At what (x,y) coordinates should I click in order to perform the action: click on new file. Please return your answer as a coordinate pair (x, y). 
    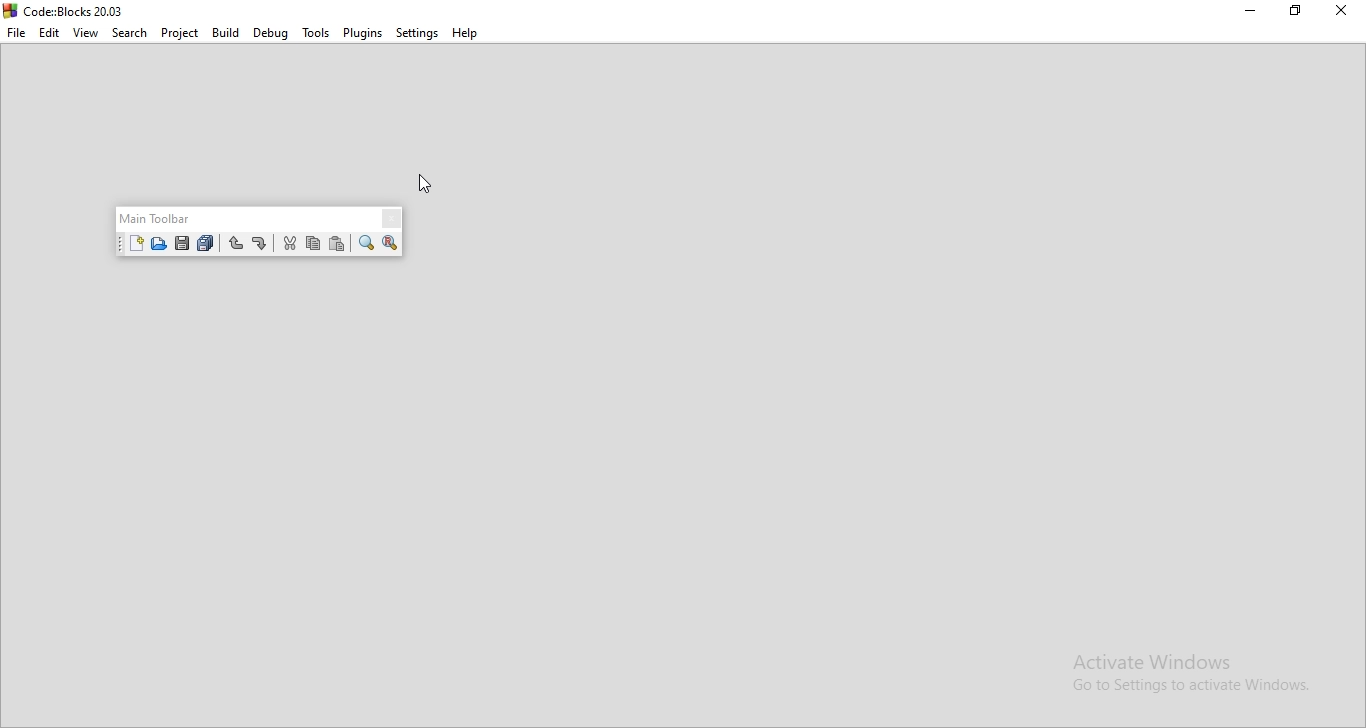
    Looking at the image, I should click on (135, 244).